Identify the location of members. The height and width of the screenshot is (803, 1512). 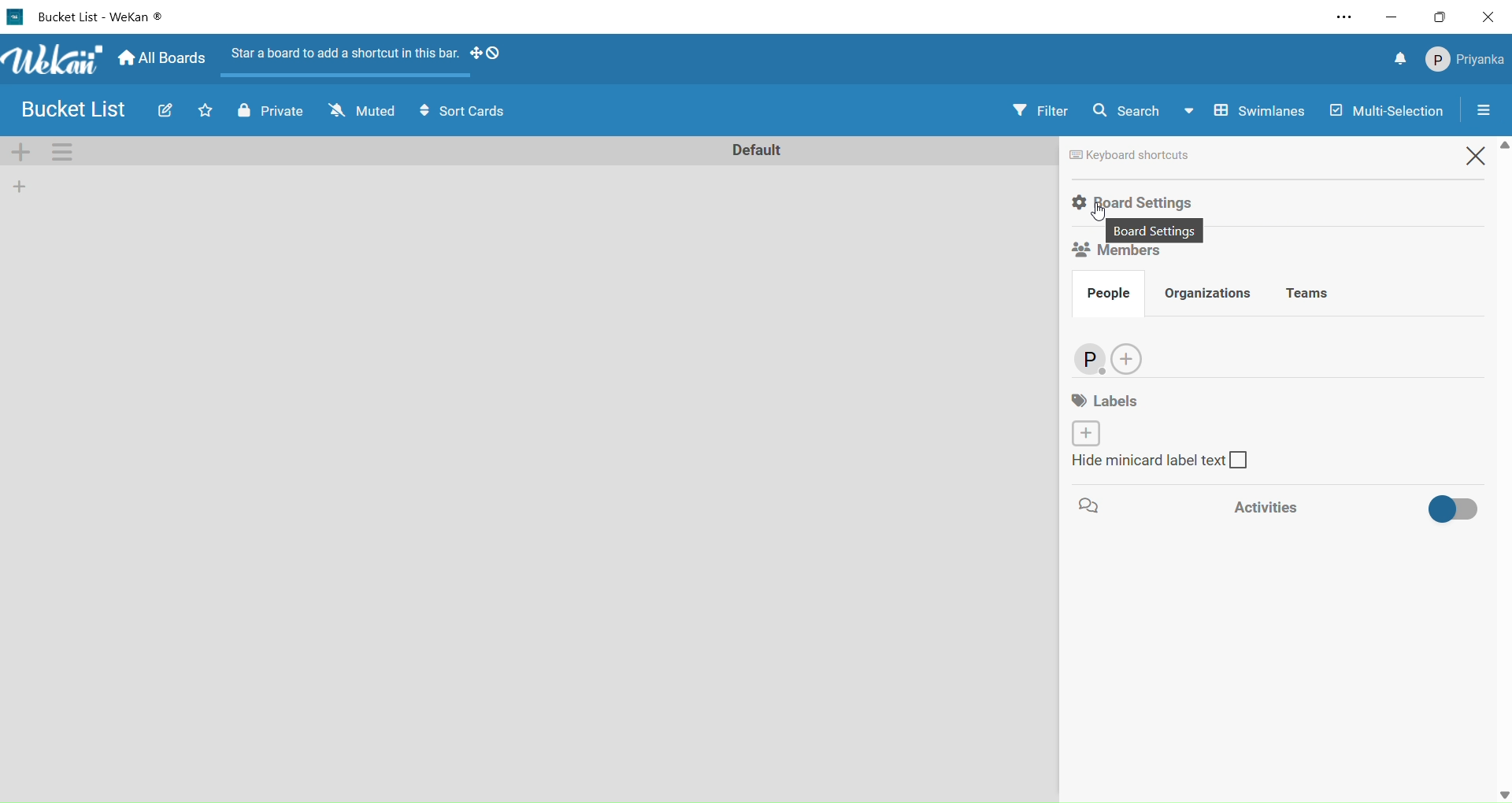
(1112, 255).